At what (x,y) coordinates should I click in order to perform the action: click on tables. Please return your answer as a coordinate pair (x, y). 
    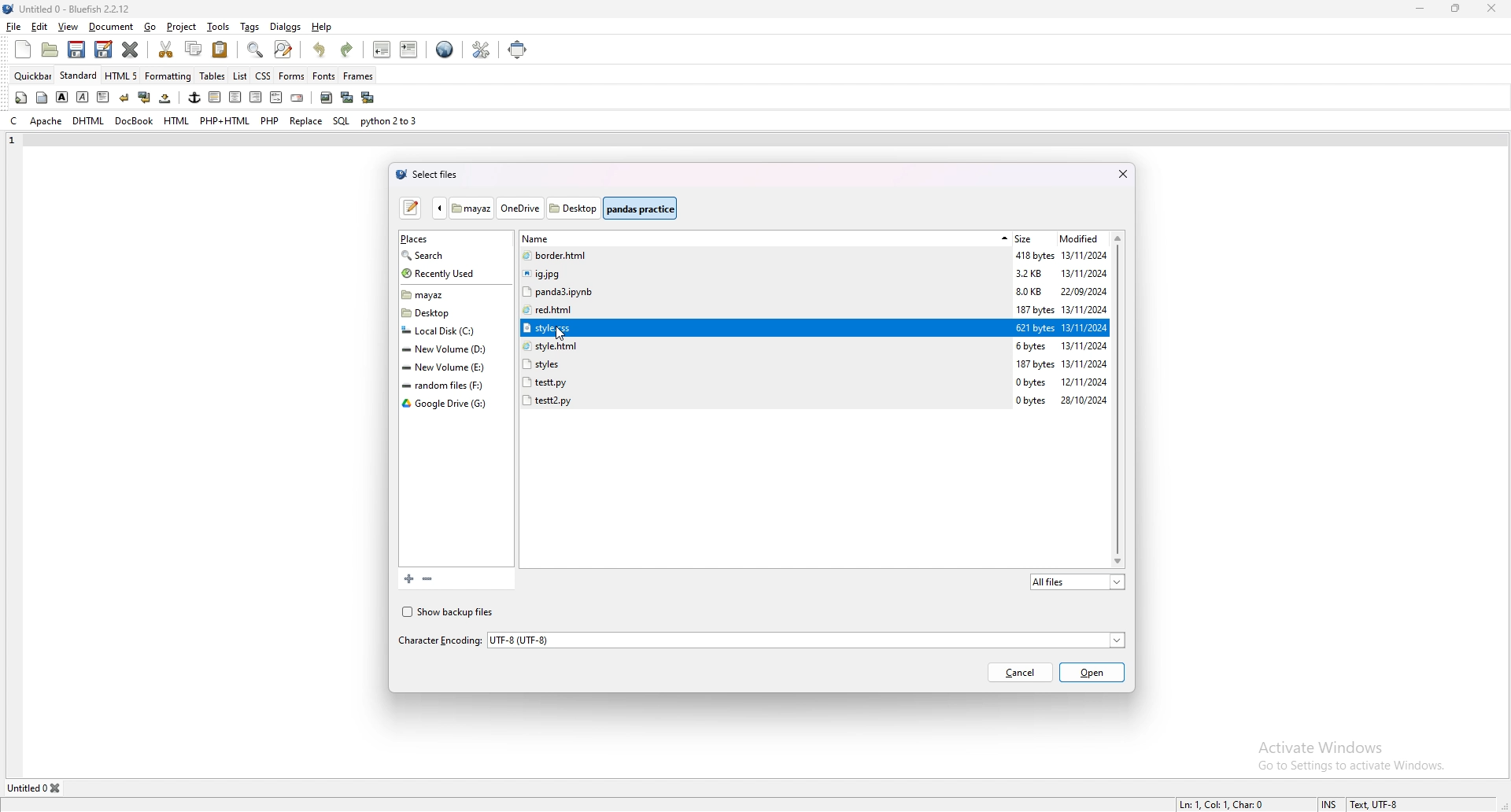
    Looking at the image, I should click on (212, 76).